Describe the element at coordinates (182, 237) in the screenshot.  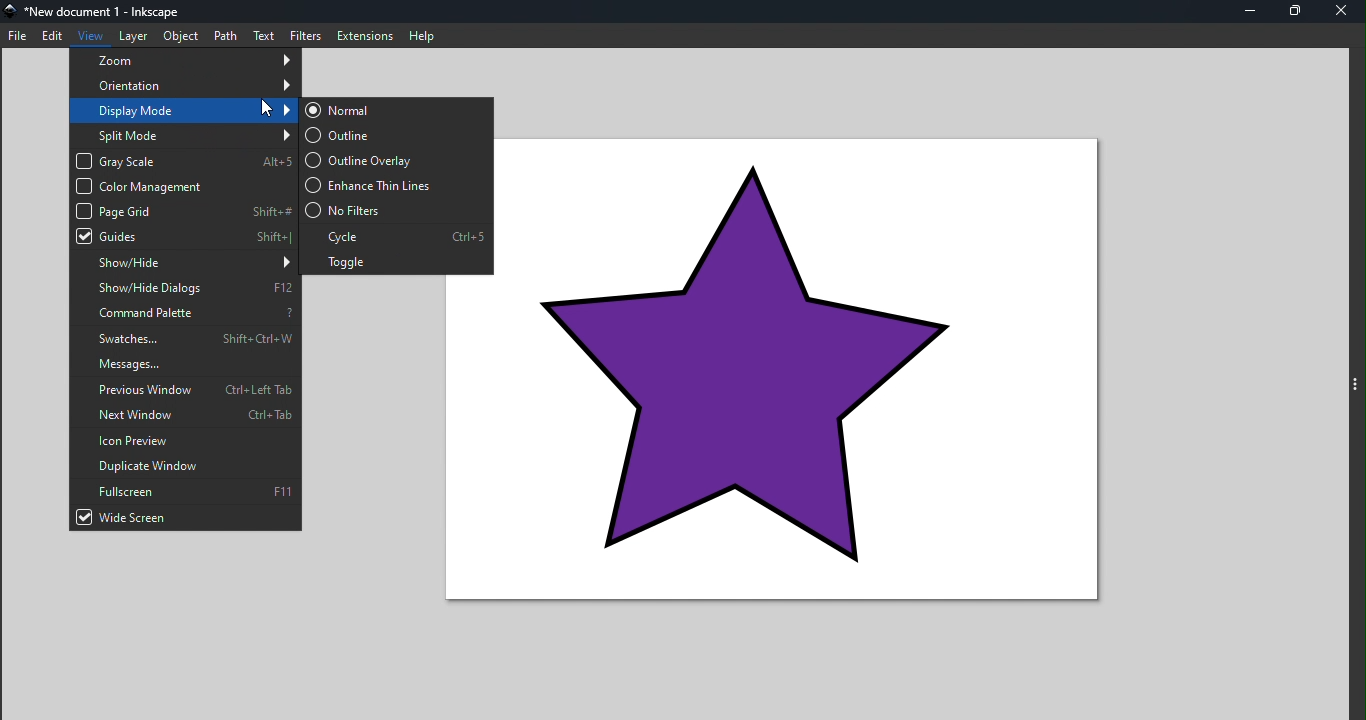
I see `Guides` at that location.